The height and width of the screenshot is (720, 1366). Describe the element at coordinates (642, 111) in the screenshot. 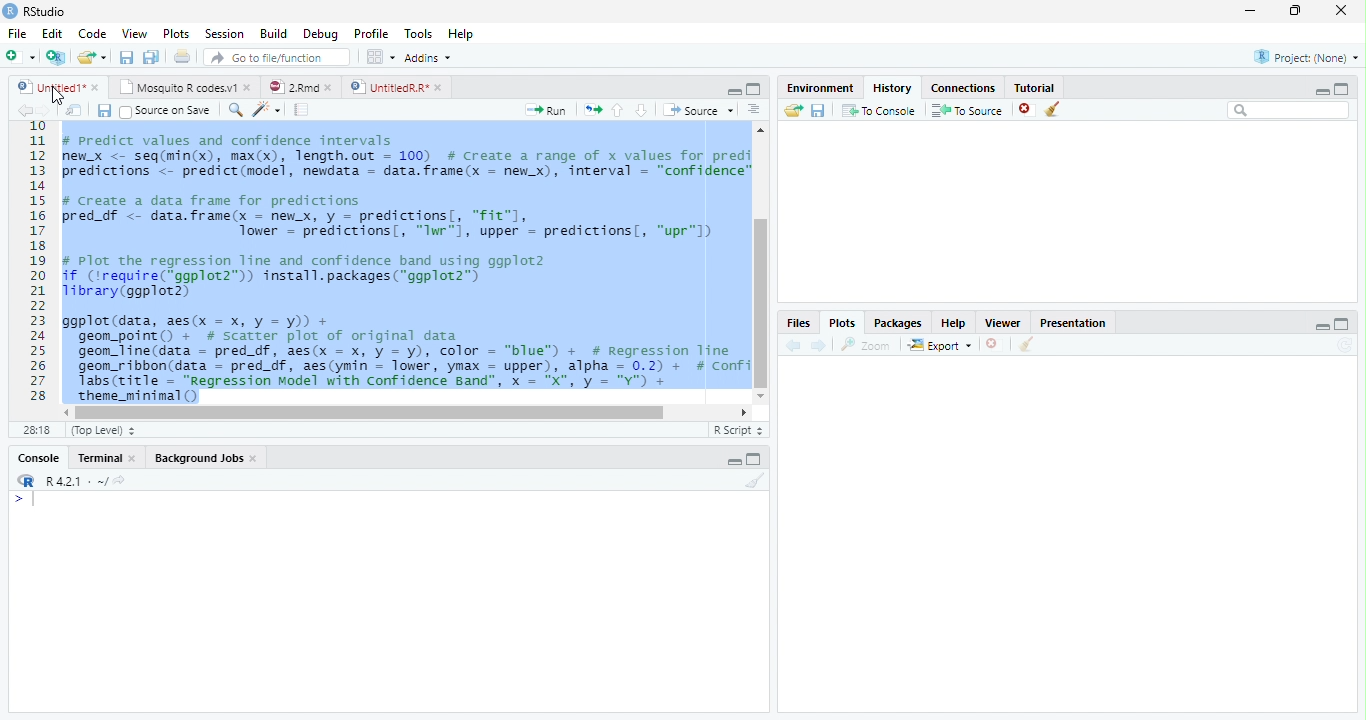

I see `Go to the next section/chunk` at that location.